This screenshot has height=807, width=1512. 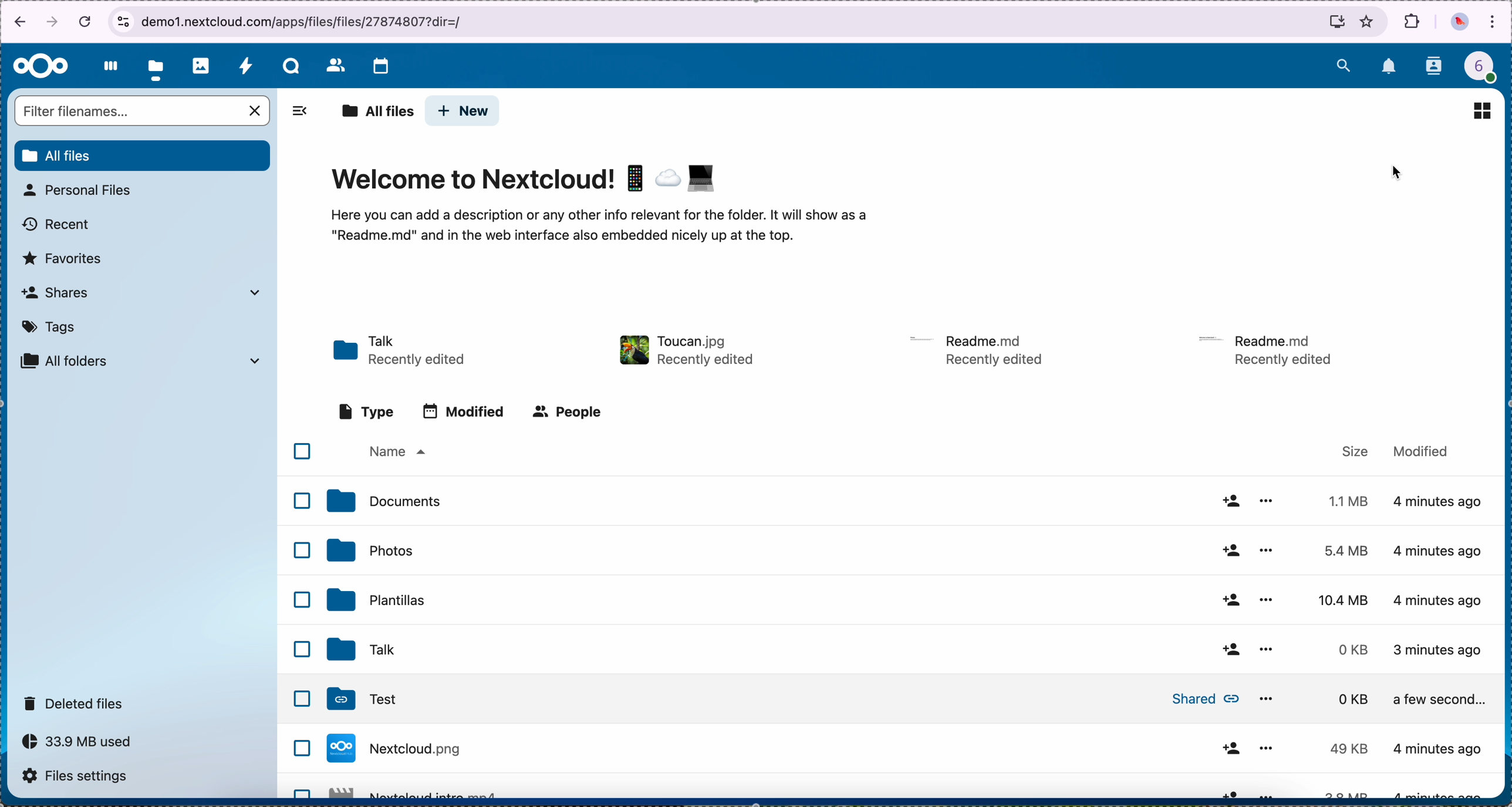 What do you see at coordinates (526, 181) in the screenshot?
I see `Welcome to Nextcloud` at bounding box center [526, 181].